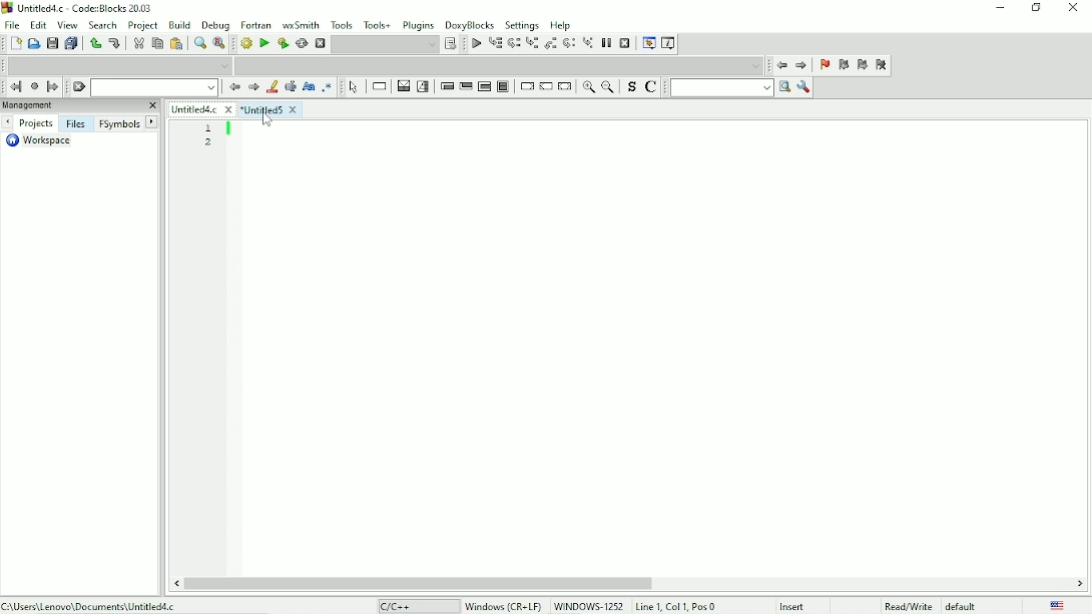 Image resolution: width=1092 pixels, height=614 pixels. I want to click on Projects, so click(36, 122).